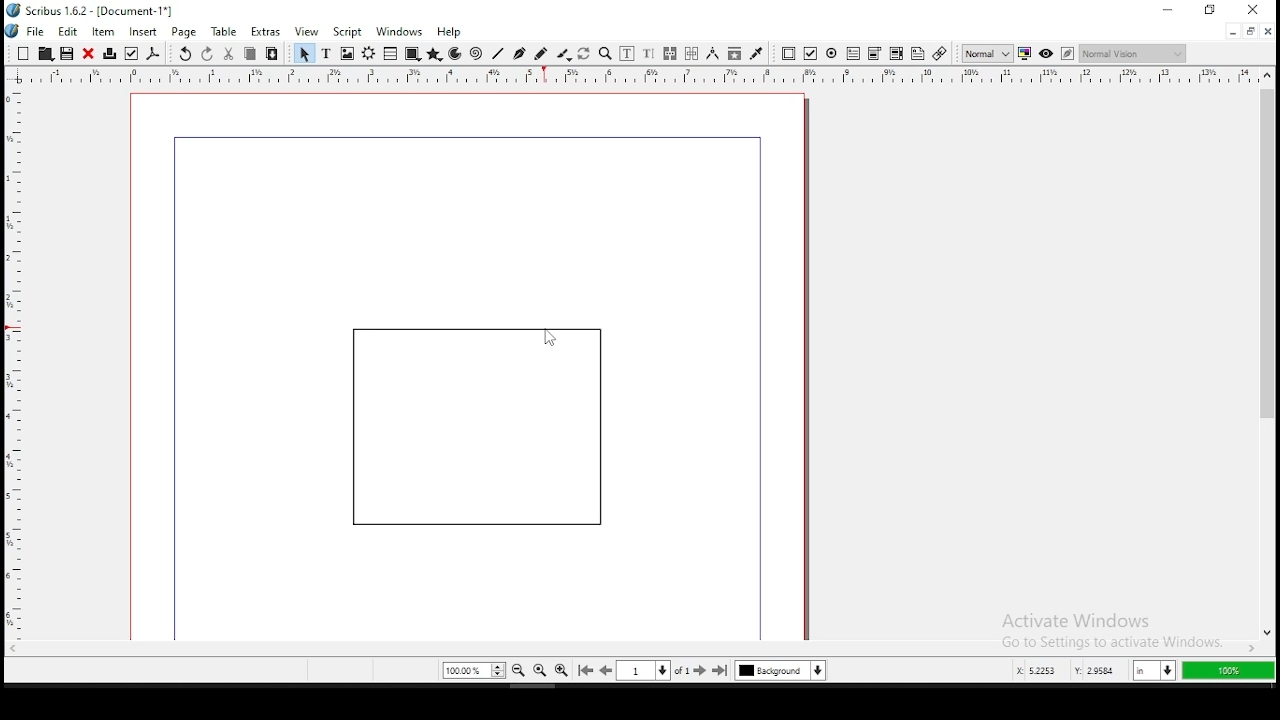 The height and width of the screenshot is (720, 1280). Describe the element at coordinates (346, 32) in the screenshot. I see `script` at that location.